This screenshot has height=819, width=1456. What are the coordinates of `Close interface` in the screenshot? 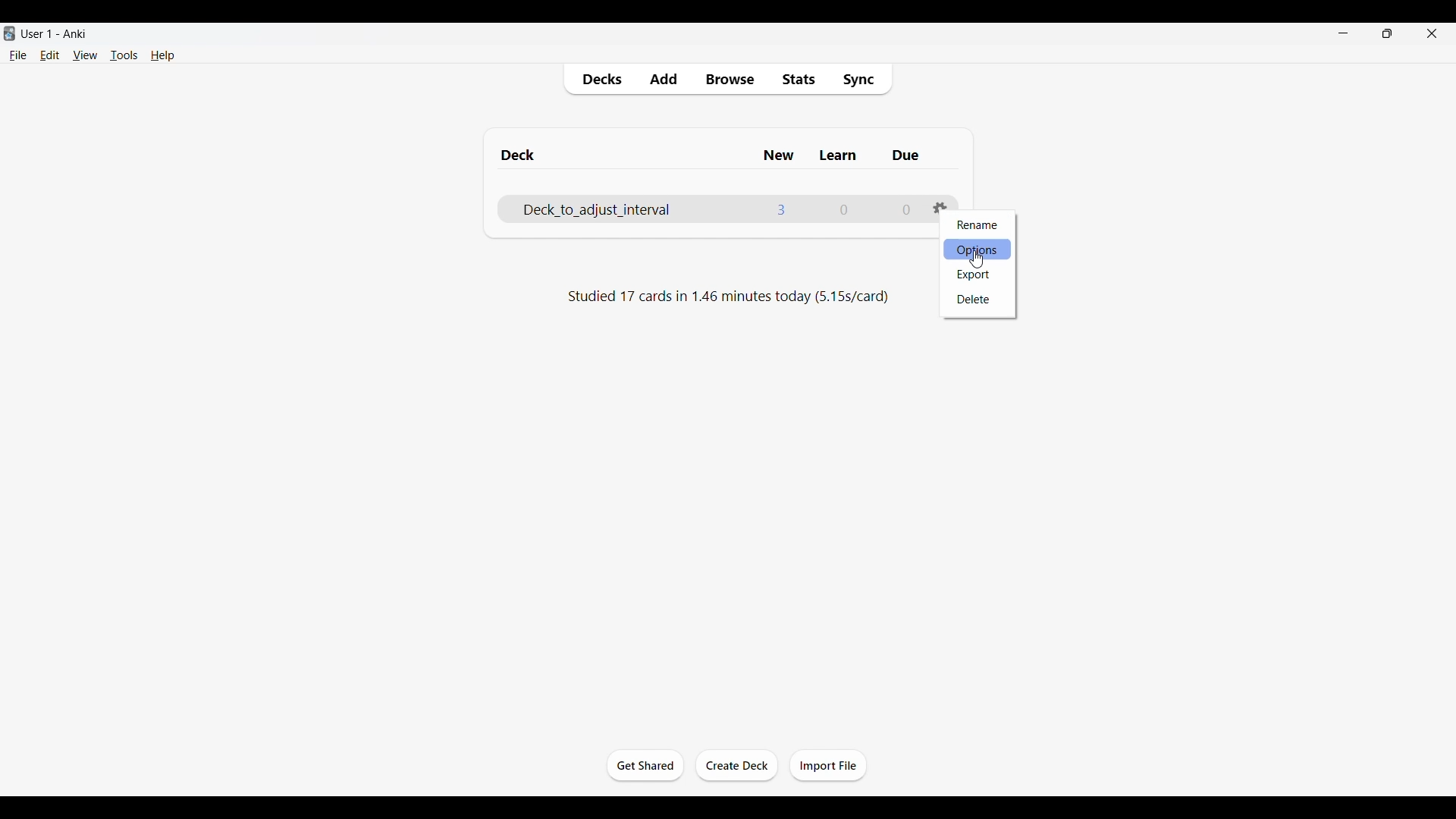 It's located at (1432, 33).